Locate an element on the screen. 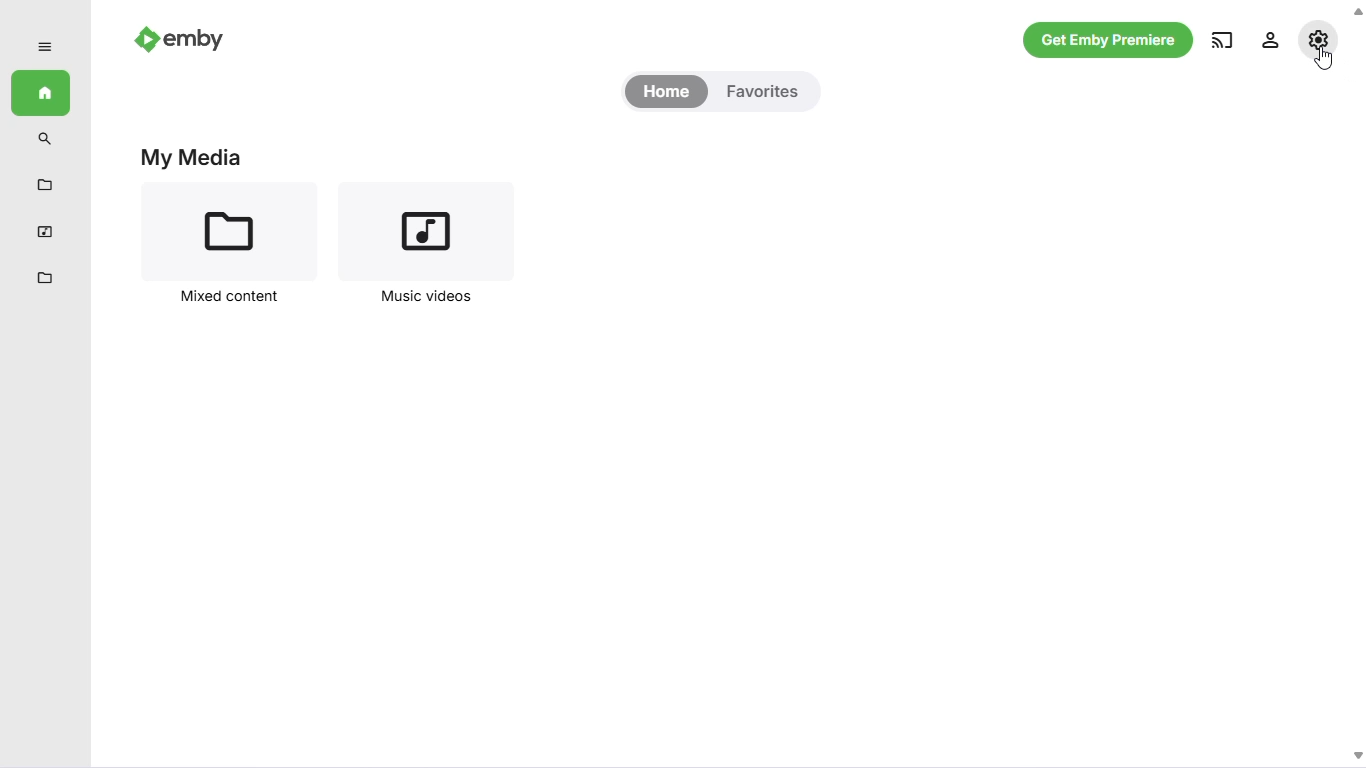  home is located at coordinates (42, 92).